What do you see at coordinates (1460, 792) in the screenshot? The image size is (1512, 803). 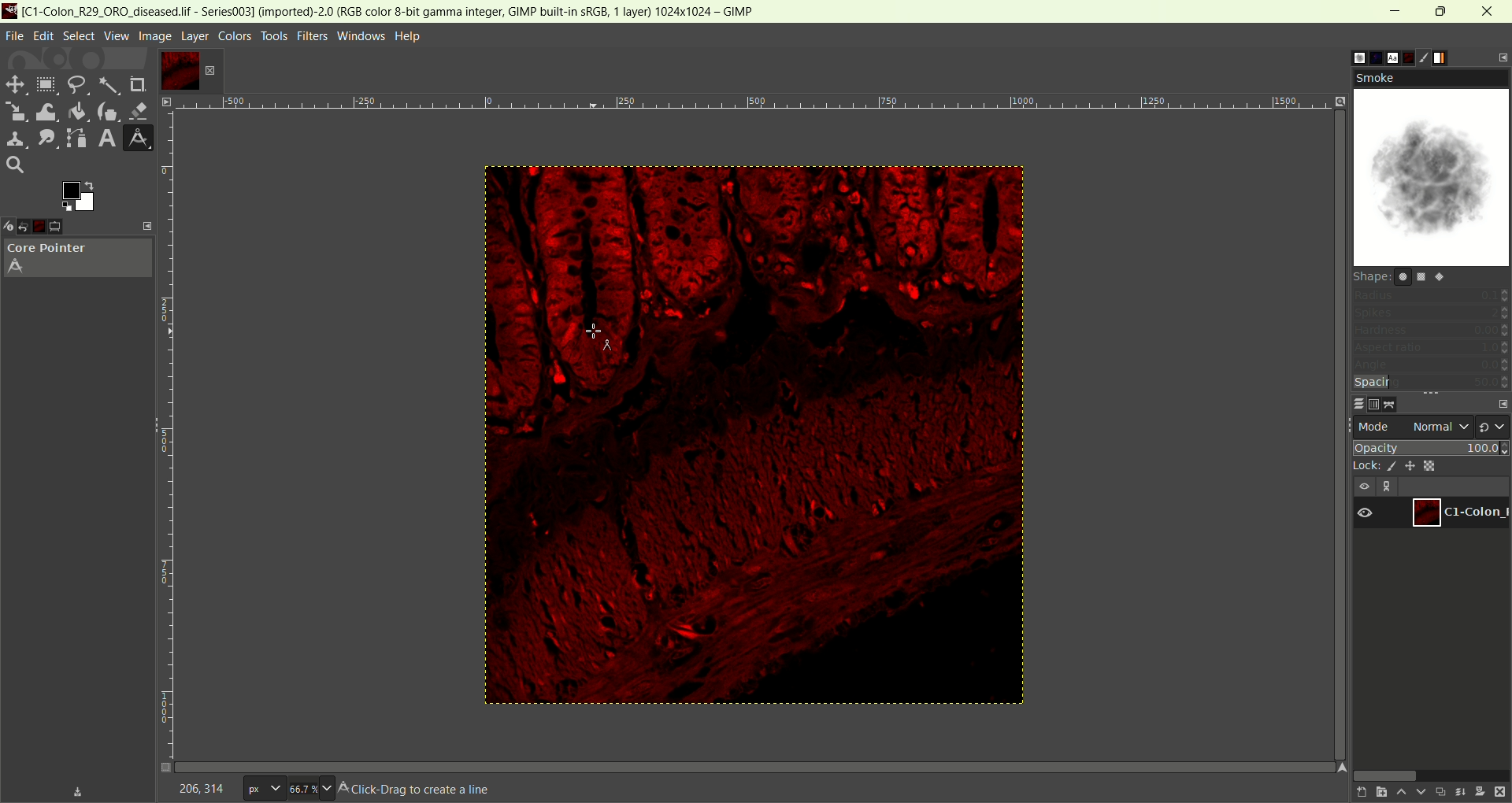 I see `merge layer` at bounding box center [1460, 792].